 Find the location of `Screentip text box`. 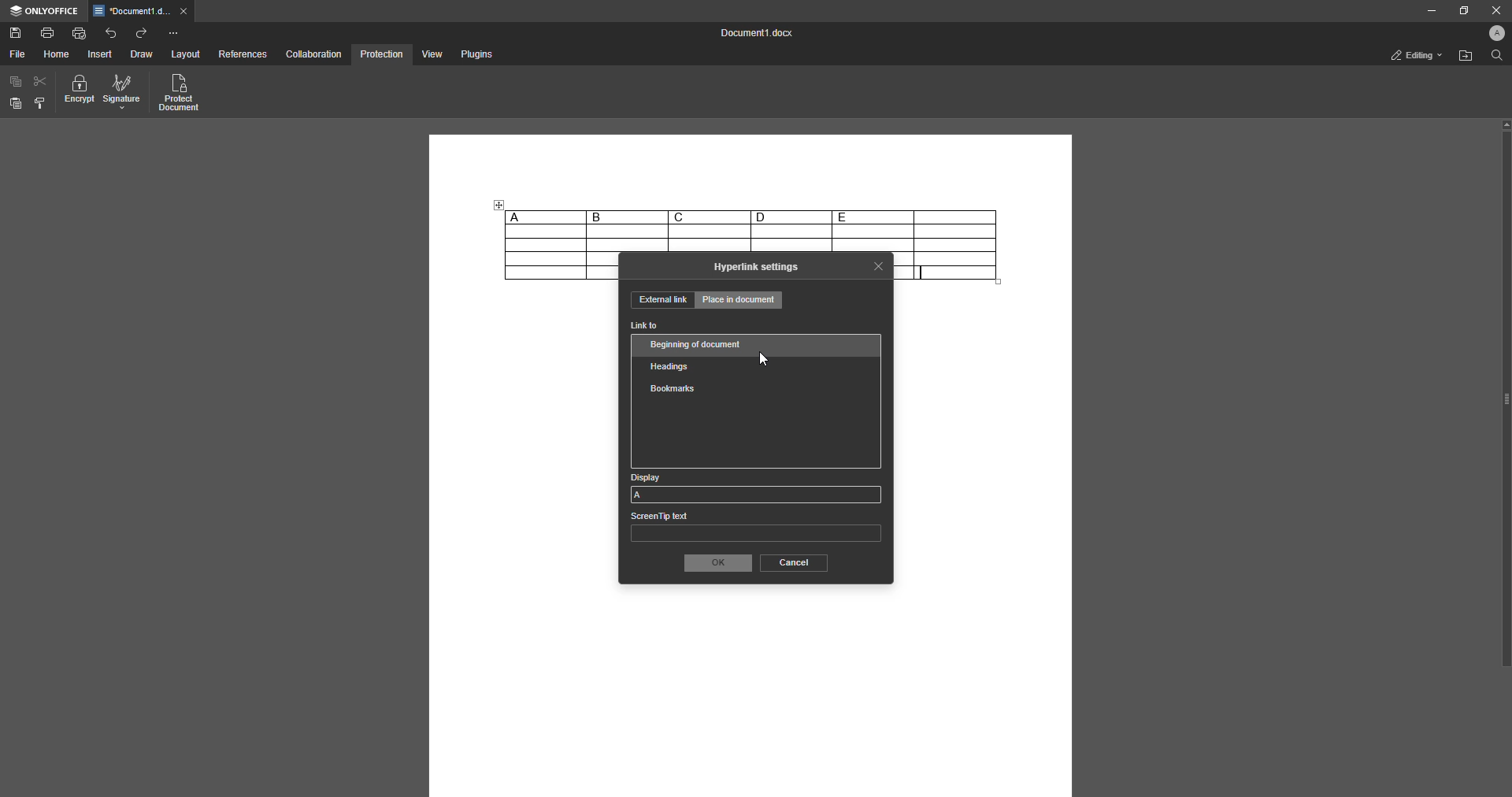

Screentip text box is located at coordinates (755, 530).